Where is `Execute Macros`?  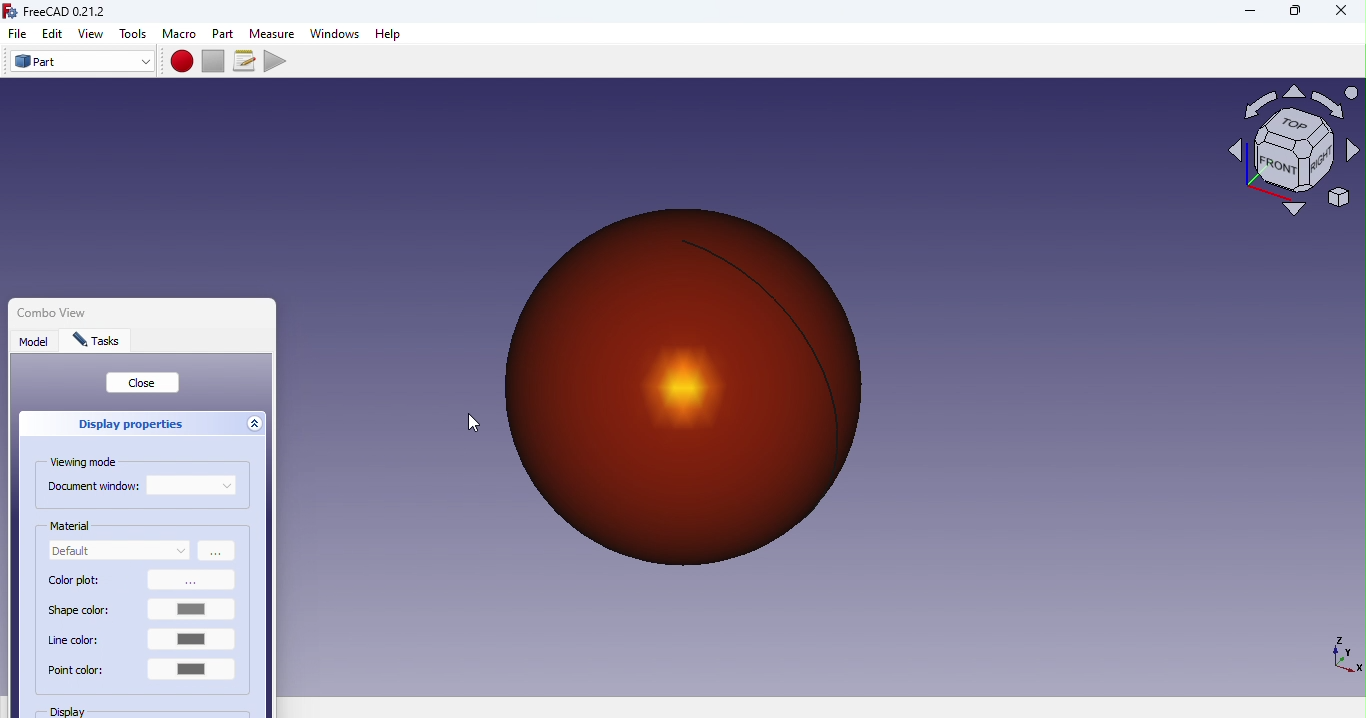
Execute Macros is located at coordinates (278, 60).